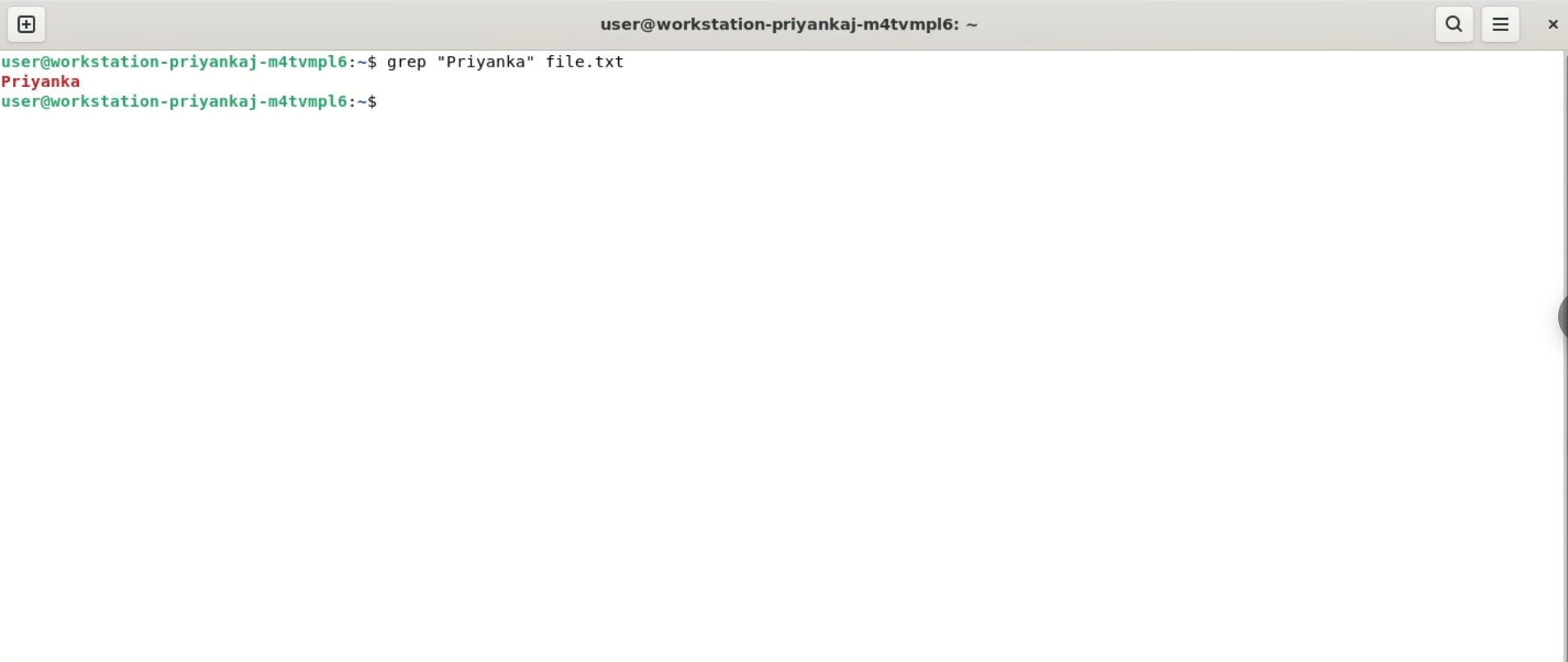 This screenshot has height=662, width=1568. Describe the element at coordinates (962, 106) in the screenshot. I see `command input` at that location.